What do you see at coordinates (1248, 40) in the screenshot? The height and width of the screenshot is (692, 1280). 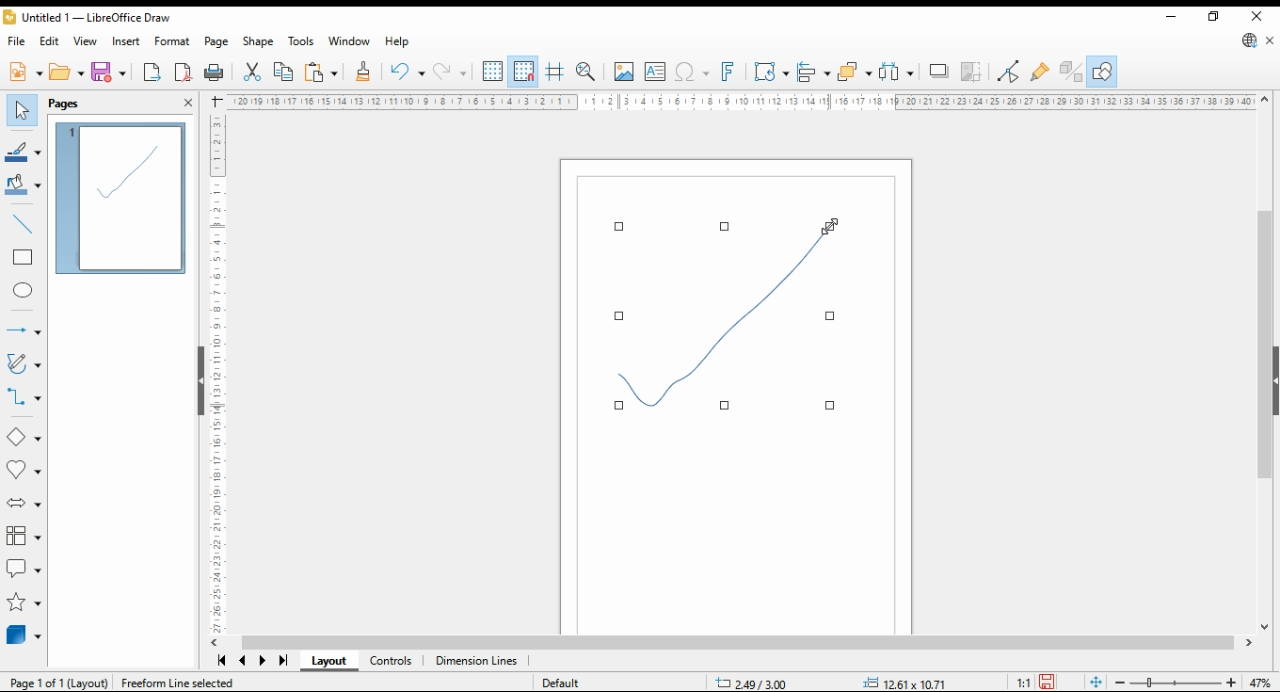 I see `update libre office` at bounding box center [1248, 40].